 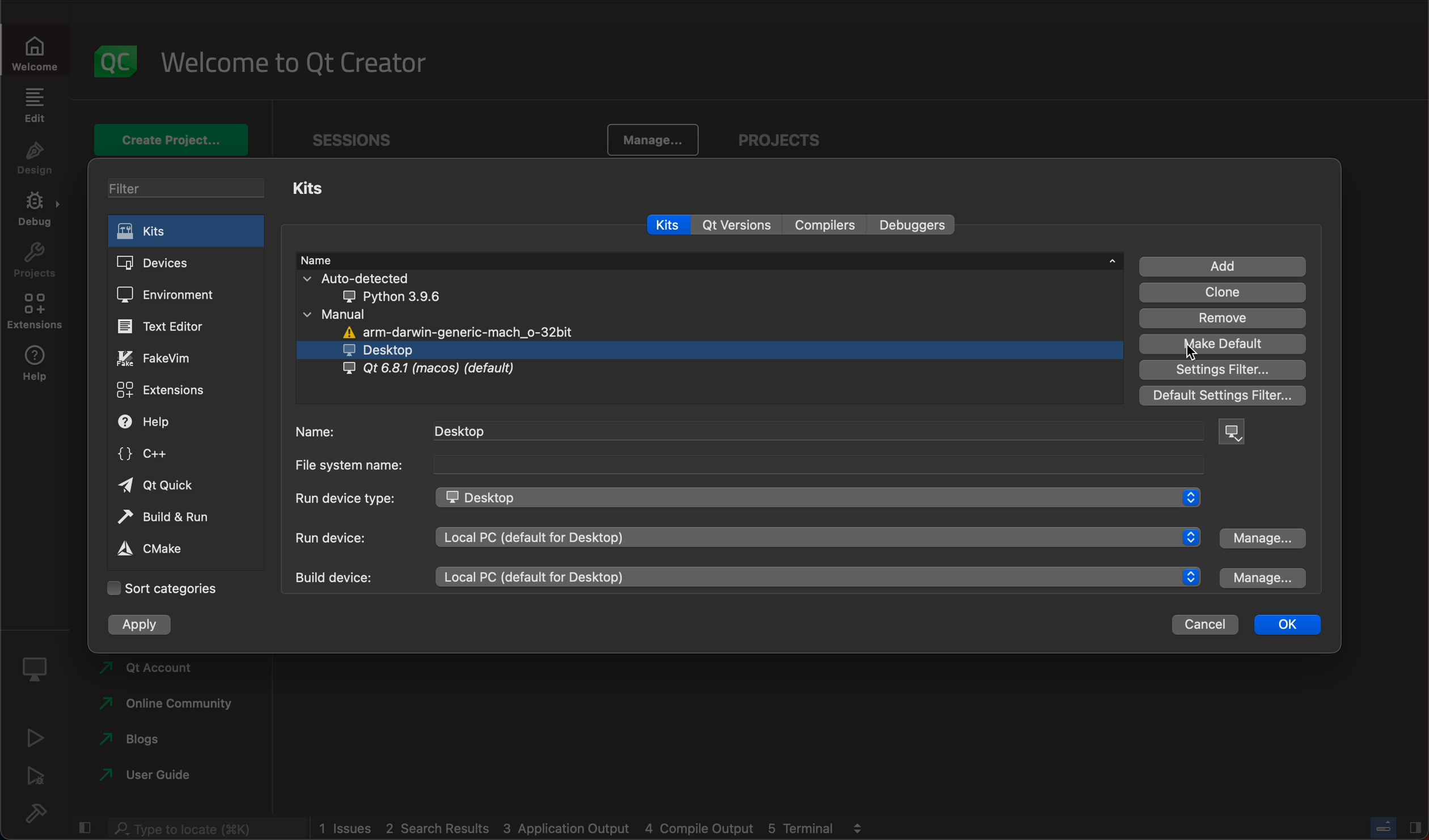 I want to click on create project, so click(x=175, y=139).